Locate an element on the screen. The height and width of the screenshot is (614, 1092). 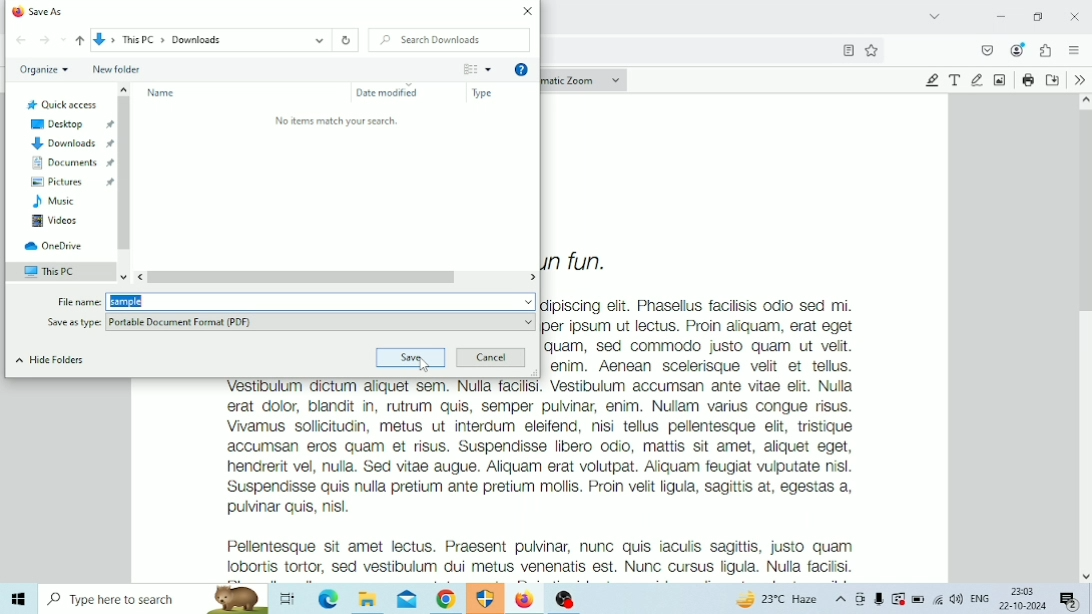
OneDrive is located at coordinates (53, 246).